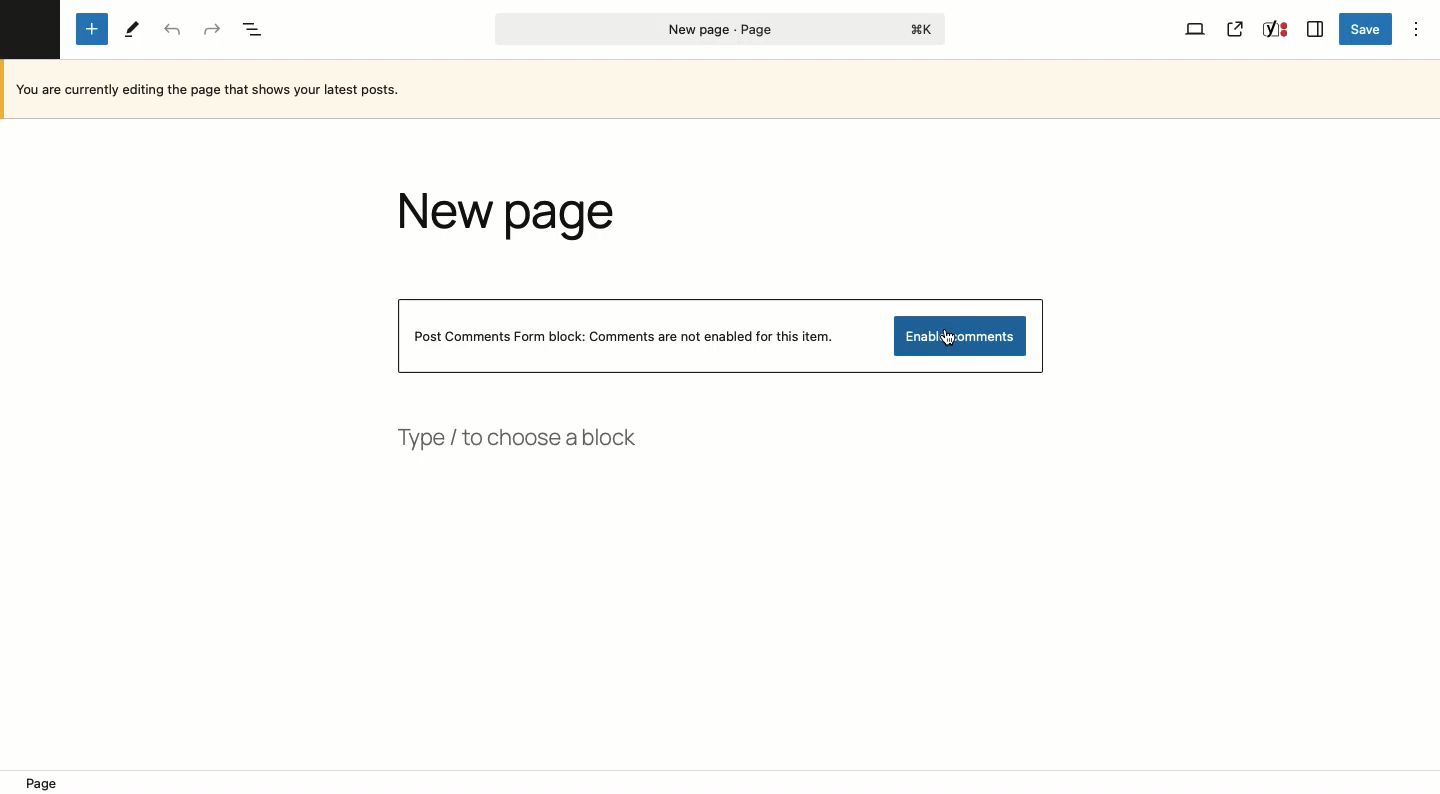 The width and height of the screenshot is (1440, 794). Describe the element at coordinates (518, 218) in the screenshot. I see `New page` at that location.